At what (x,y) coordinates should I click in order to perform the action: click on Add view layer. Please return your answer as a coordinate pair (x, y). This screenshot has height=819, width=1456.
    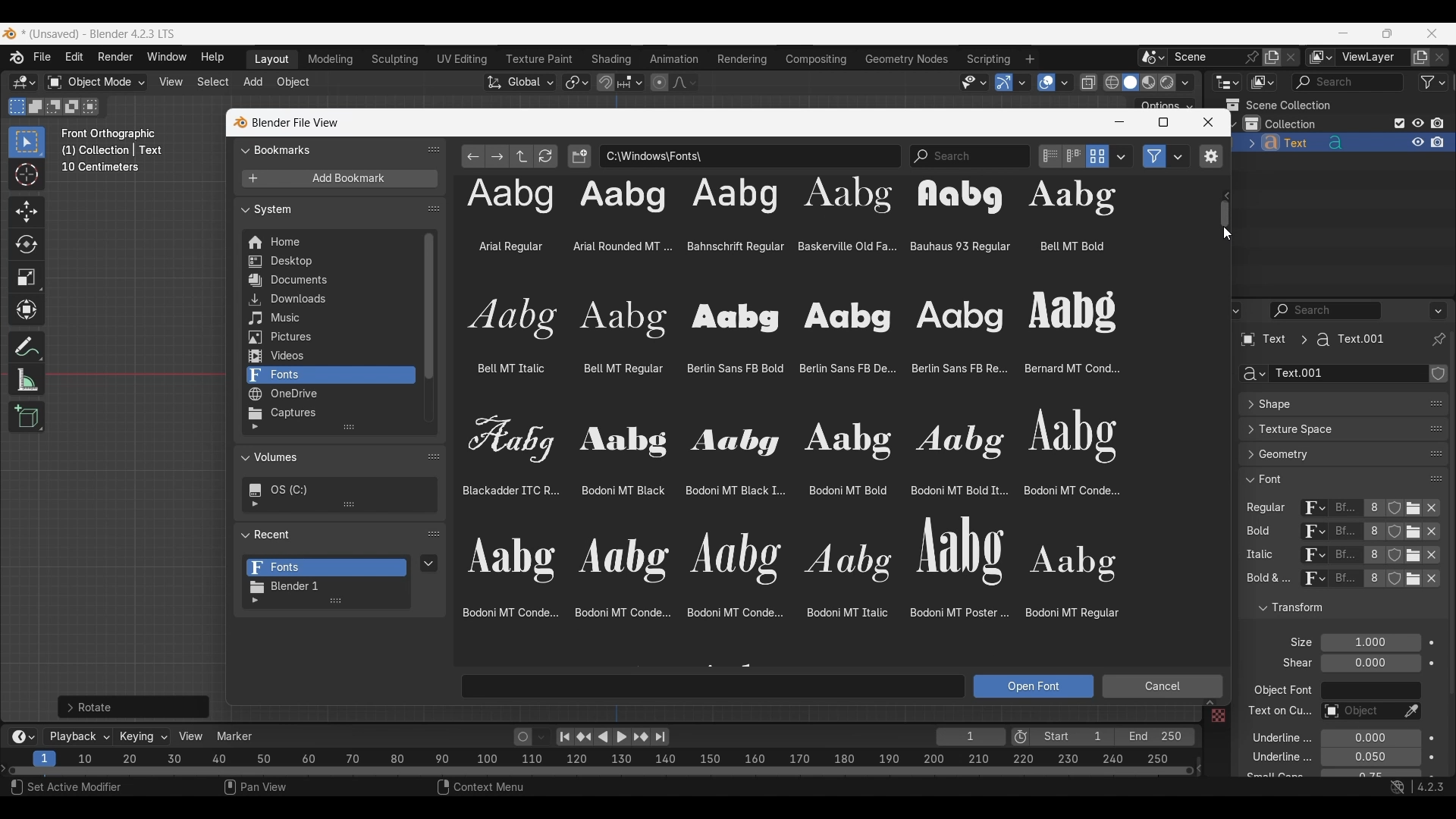
    Looking at the image, I should click on (1420, 58).